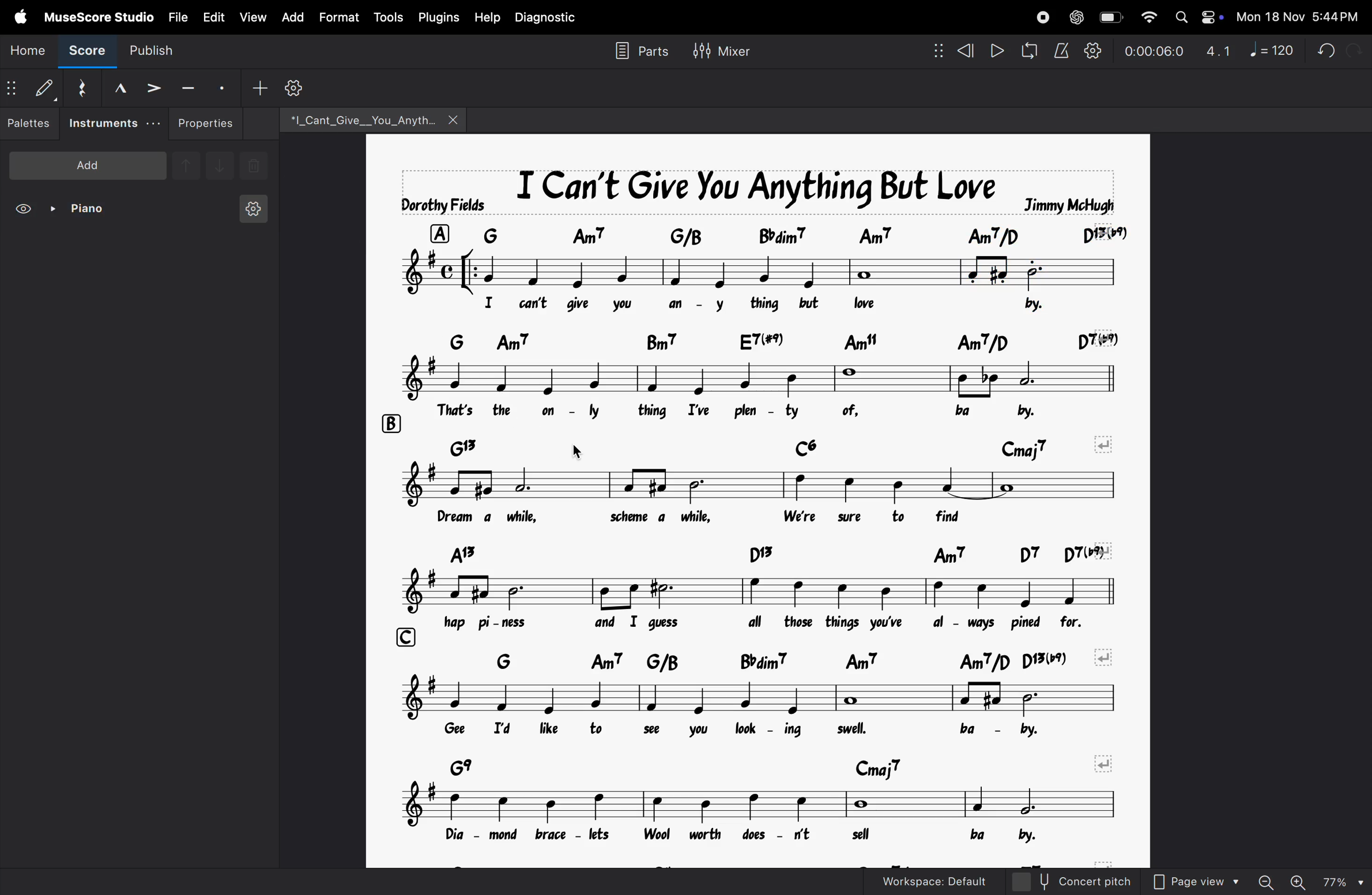 This screenshot has width=1372, height=895. Describe the element at coordinates (258, 87) in the screenshot. I see `add` at that location.